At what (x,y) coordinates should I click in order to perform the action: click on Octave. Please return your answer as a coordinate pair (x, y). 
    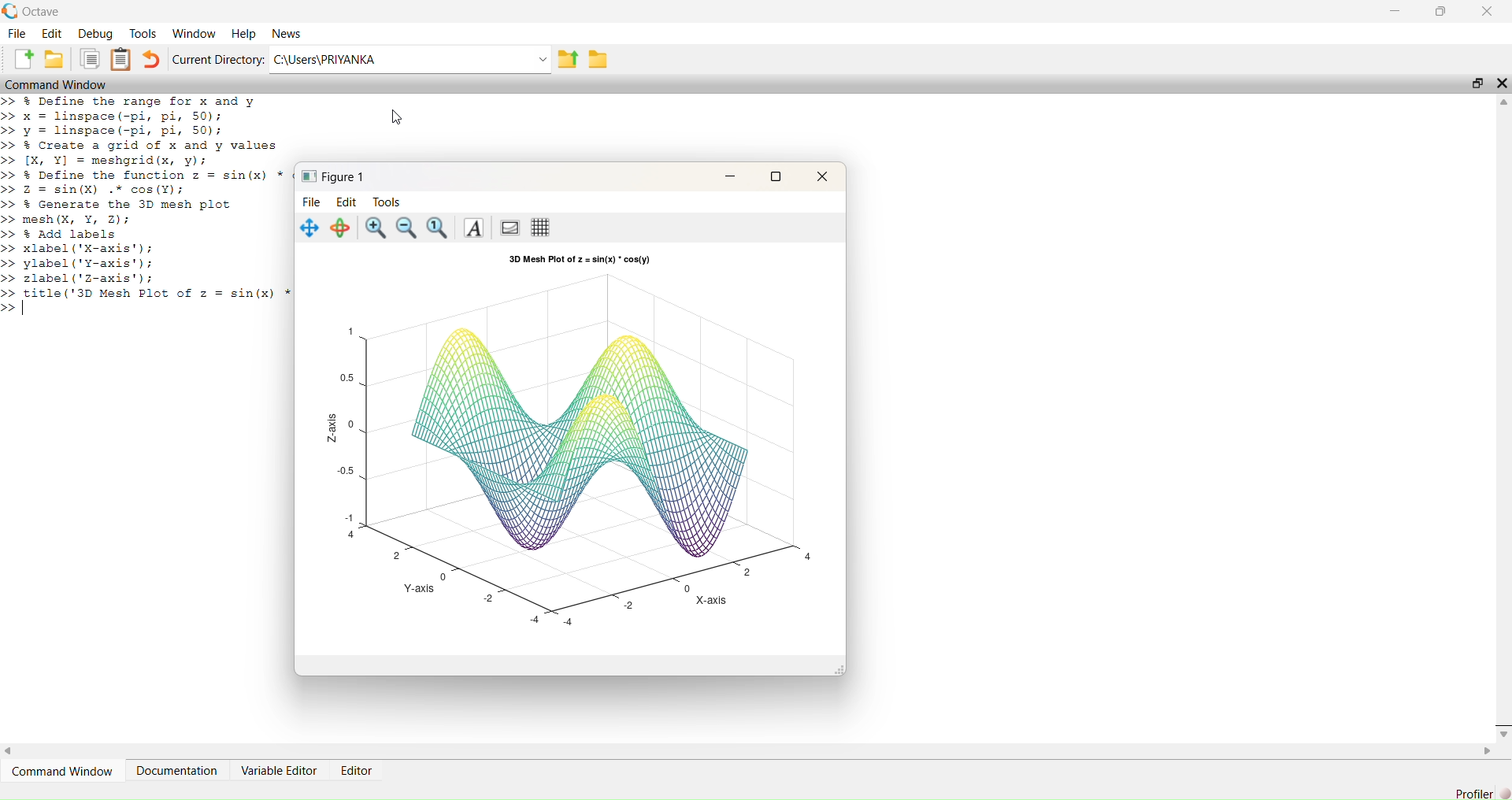
    Looking at the image, I should click on (38, 11).